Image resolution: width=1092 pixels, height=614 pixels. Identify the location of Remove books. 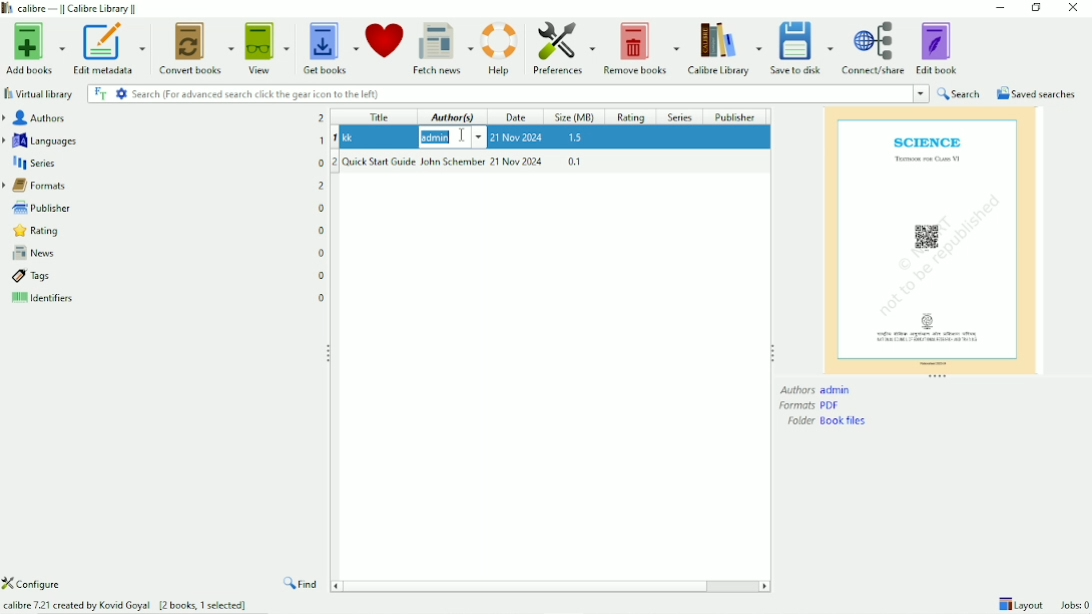
(641, 49).